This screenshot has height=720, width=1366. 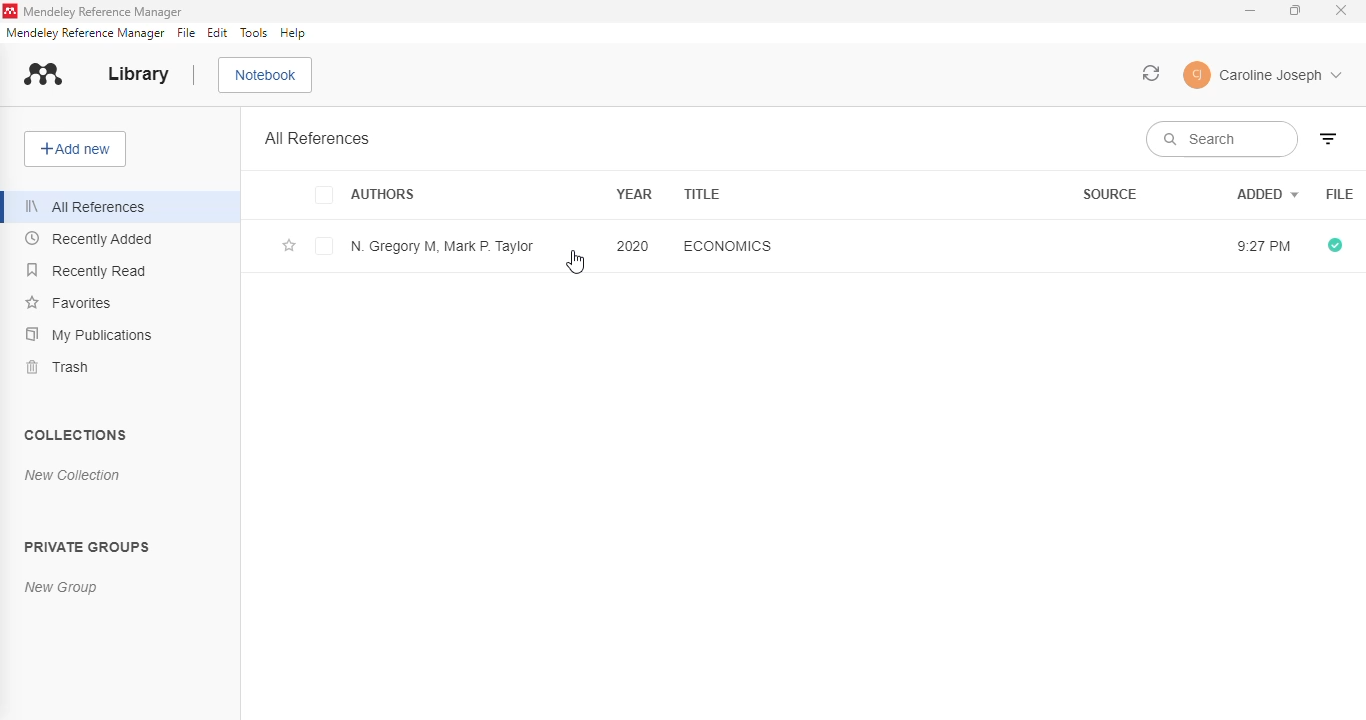 What do you see at coordinates (217, 33) in the screenshot?
I see `edit` at bounding box center [217, 33].